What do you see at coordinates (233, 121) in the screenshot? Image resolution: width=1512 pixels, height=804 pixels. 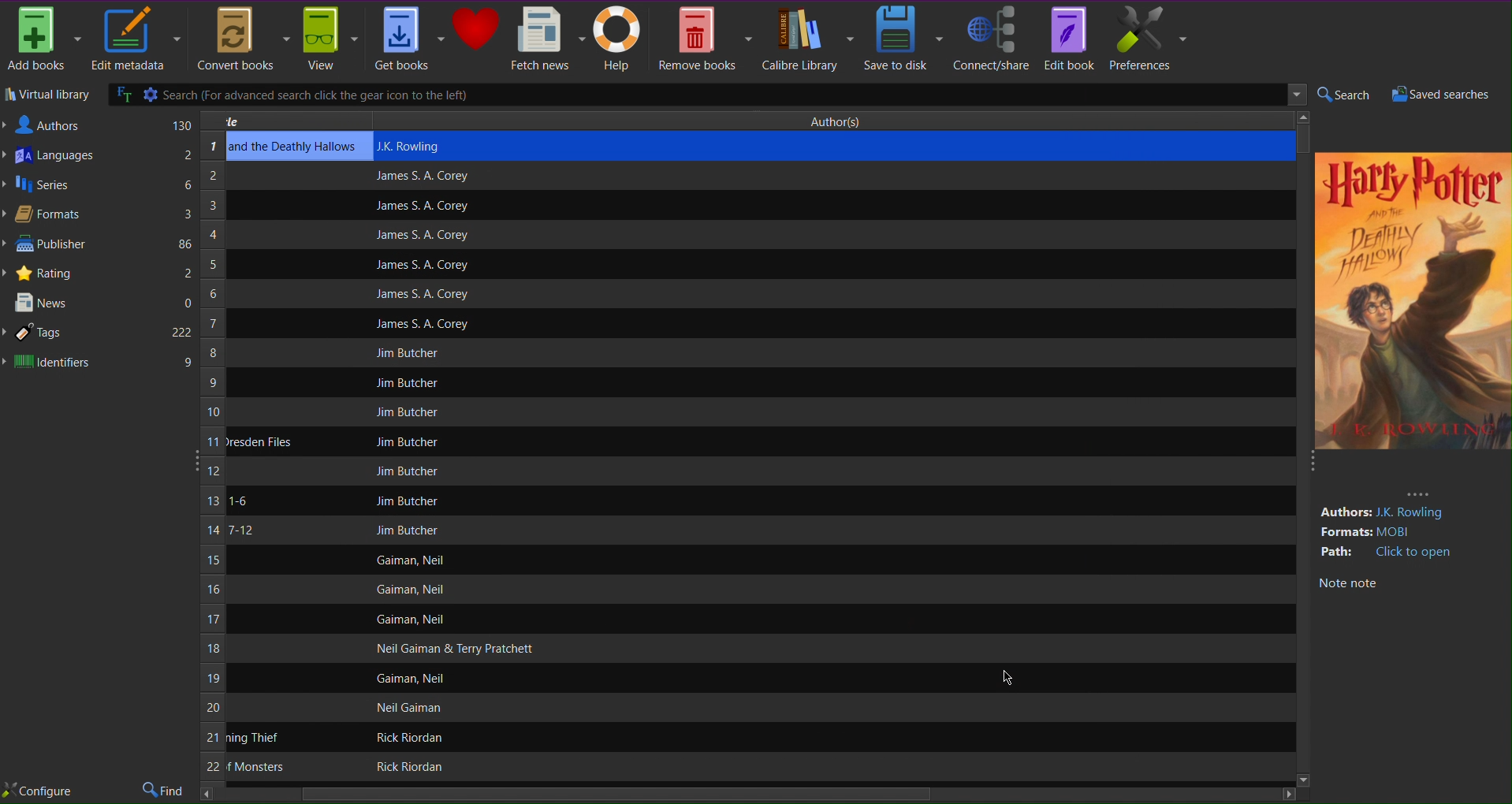 I see `` at bounding box center [233, 121].